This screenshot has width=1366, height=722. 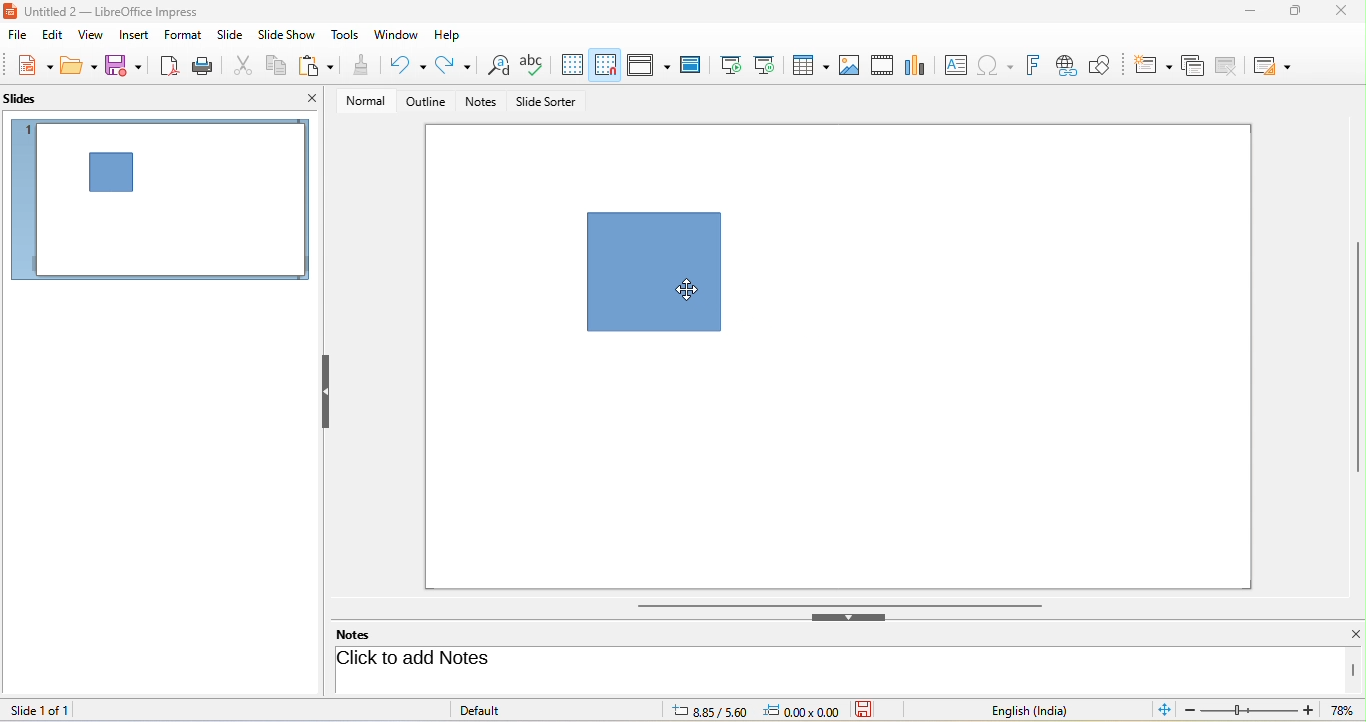 What do you see at coordinates (871, 710) in the screenshot?
I see `save` at bounding box center [871, 710].